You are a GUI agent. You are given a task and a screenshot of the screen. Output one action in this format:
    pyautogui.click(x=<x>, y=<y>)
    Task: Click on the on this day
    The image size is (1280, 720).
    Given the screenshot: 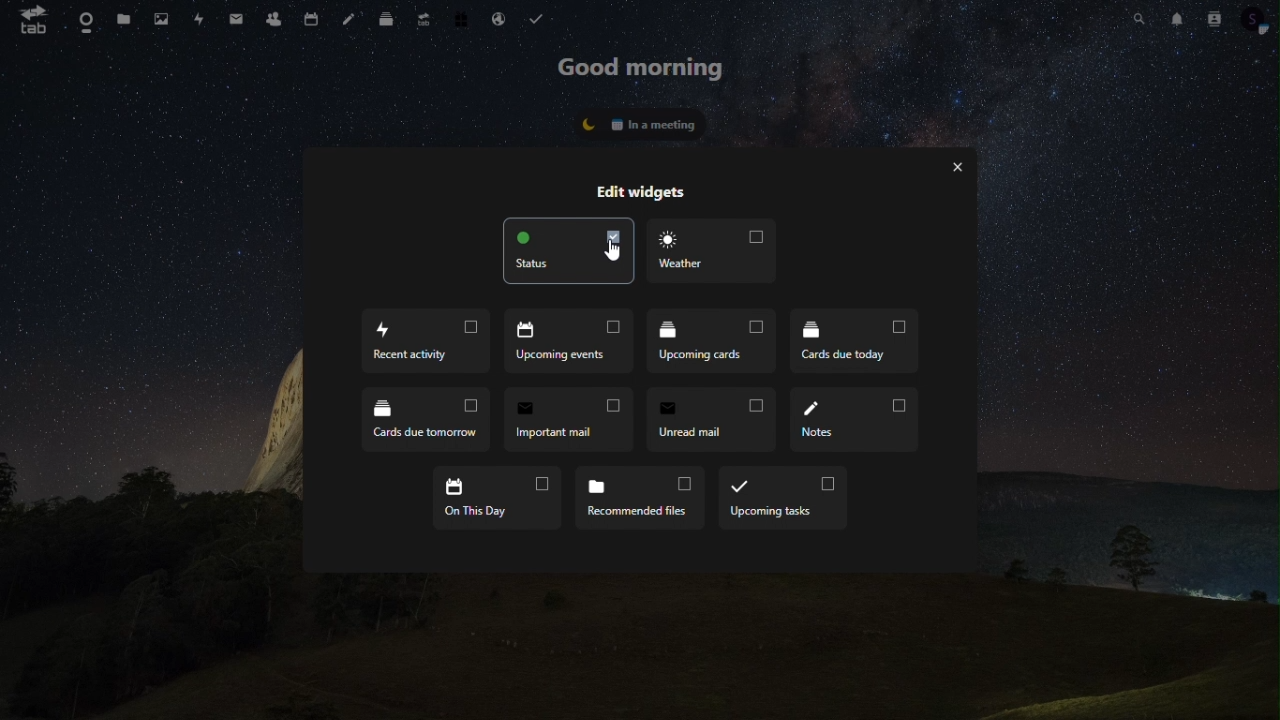 What is the action you would take?
    pyautogui.click(x=496, y=498)
    